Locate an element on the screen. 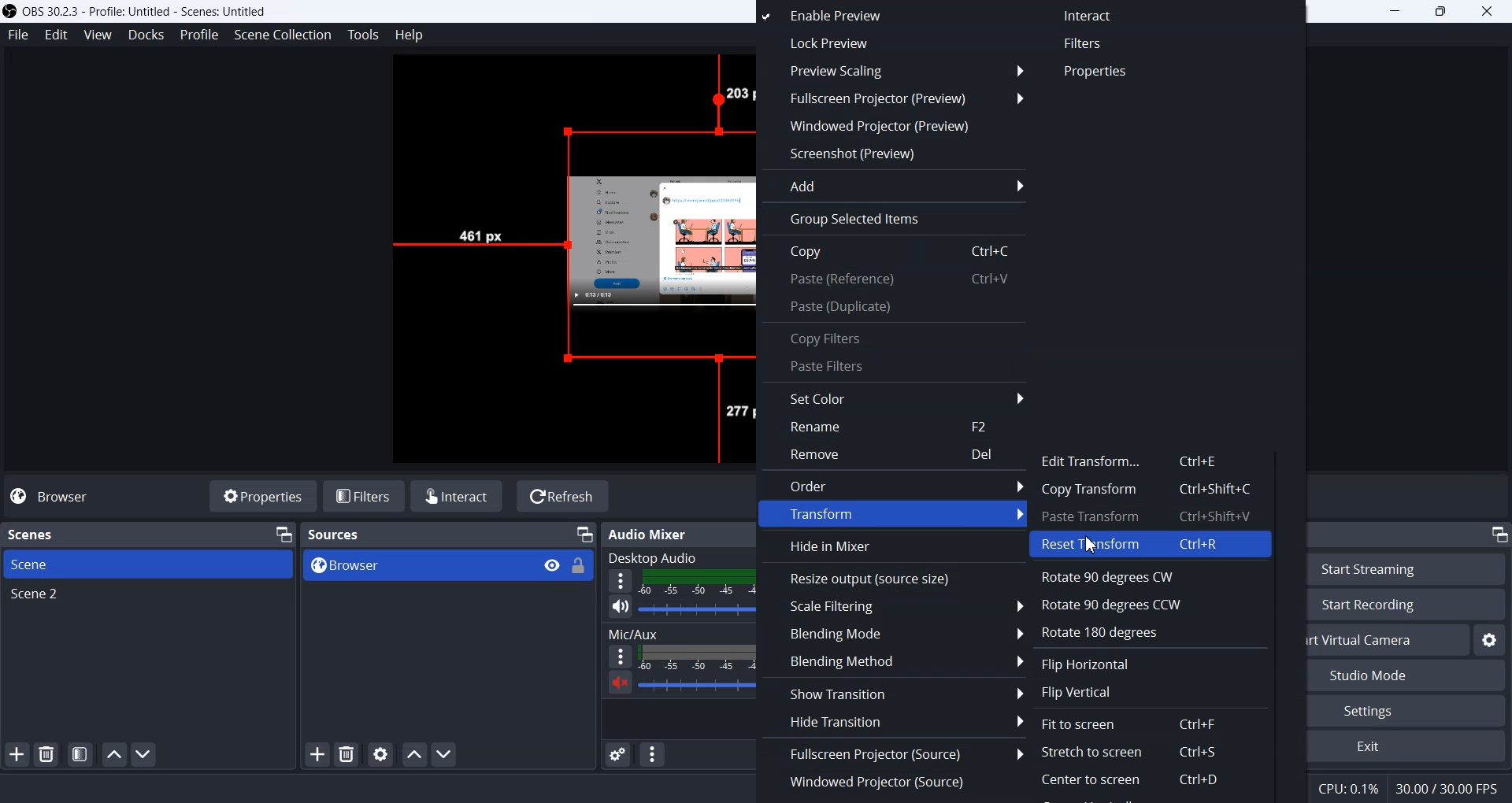 The image size is (1512, 803). Move scene down is located at coordinates (144, 754).